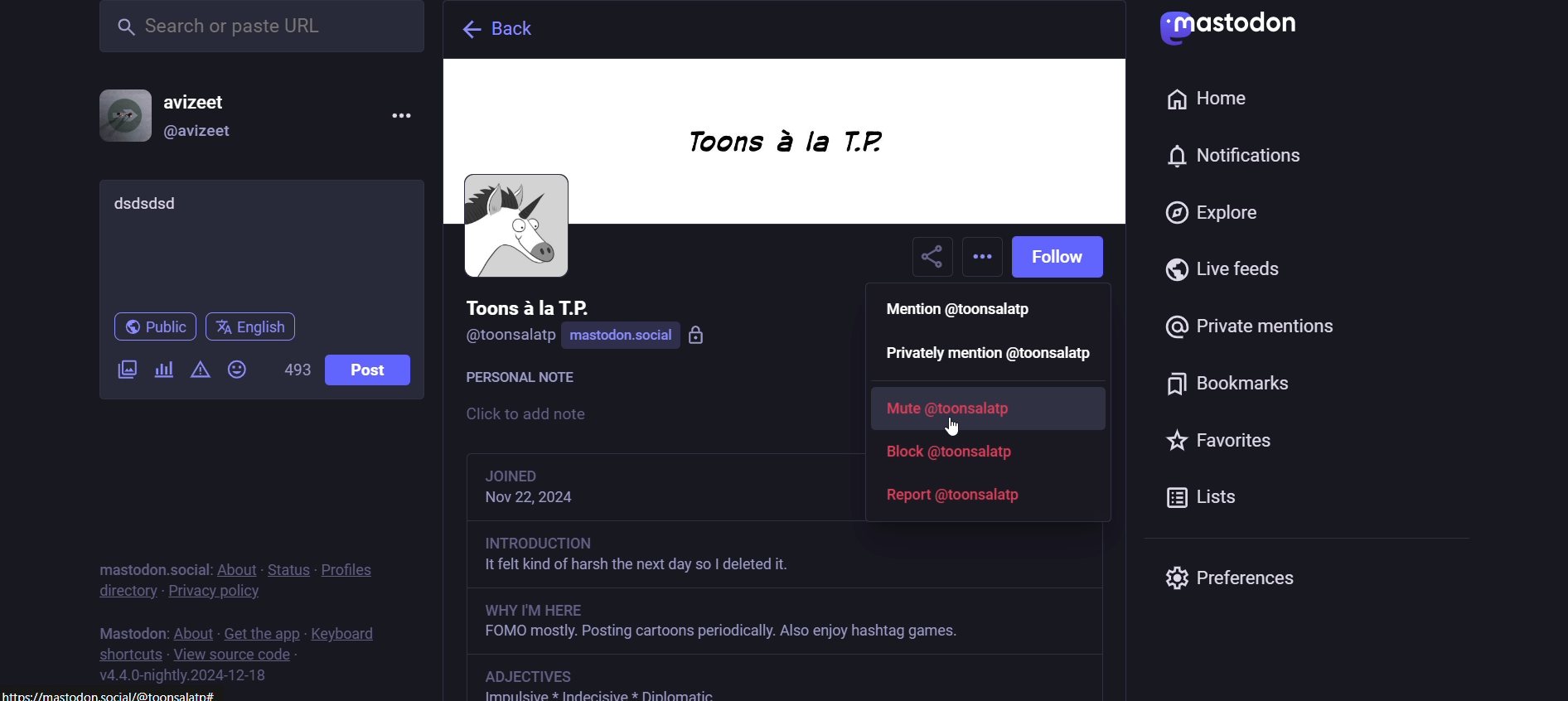 This screenshot has width=1568, height=701. Describe the element at coordinates (259, 242) in the screenshot. I see `whats on your mind` at that location.